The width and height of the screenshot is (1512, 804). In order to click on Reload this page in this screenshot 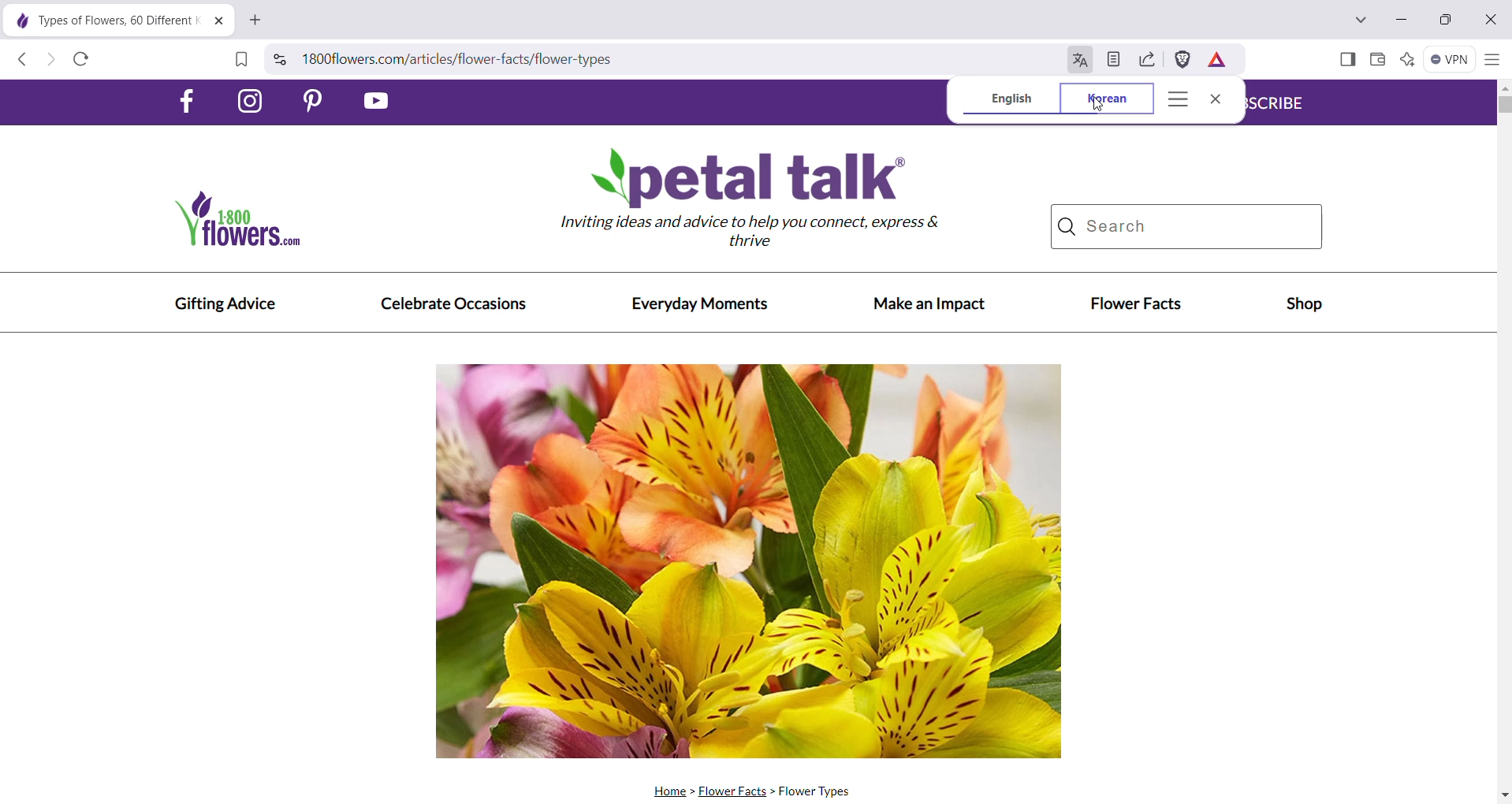, I will do `click(84, 61)`.